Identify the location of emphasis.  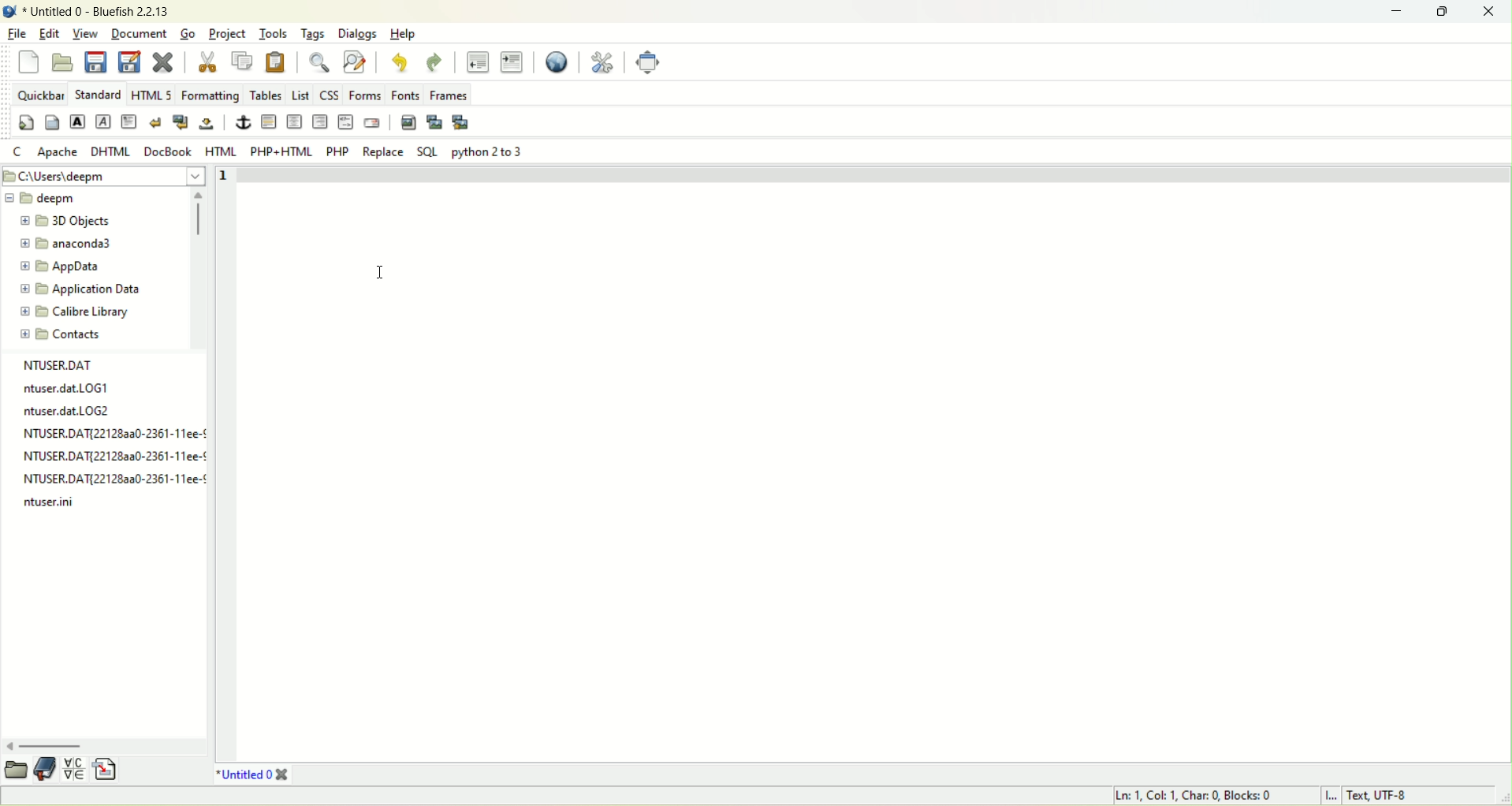
(103, 122).